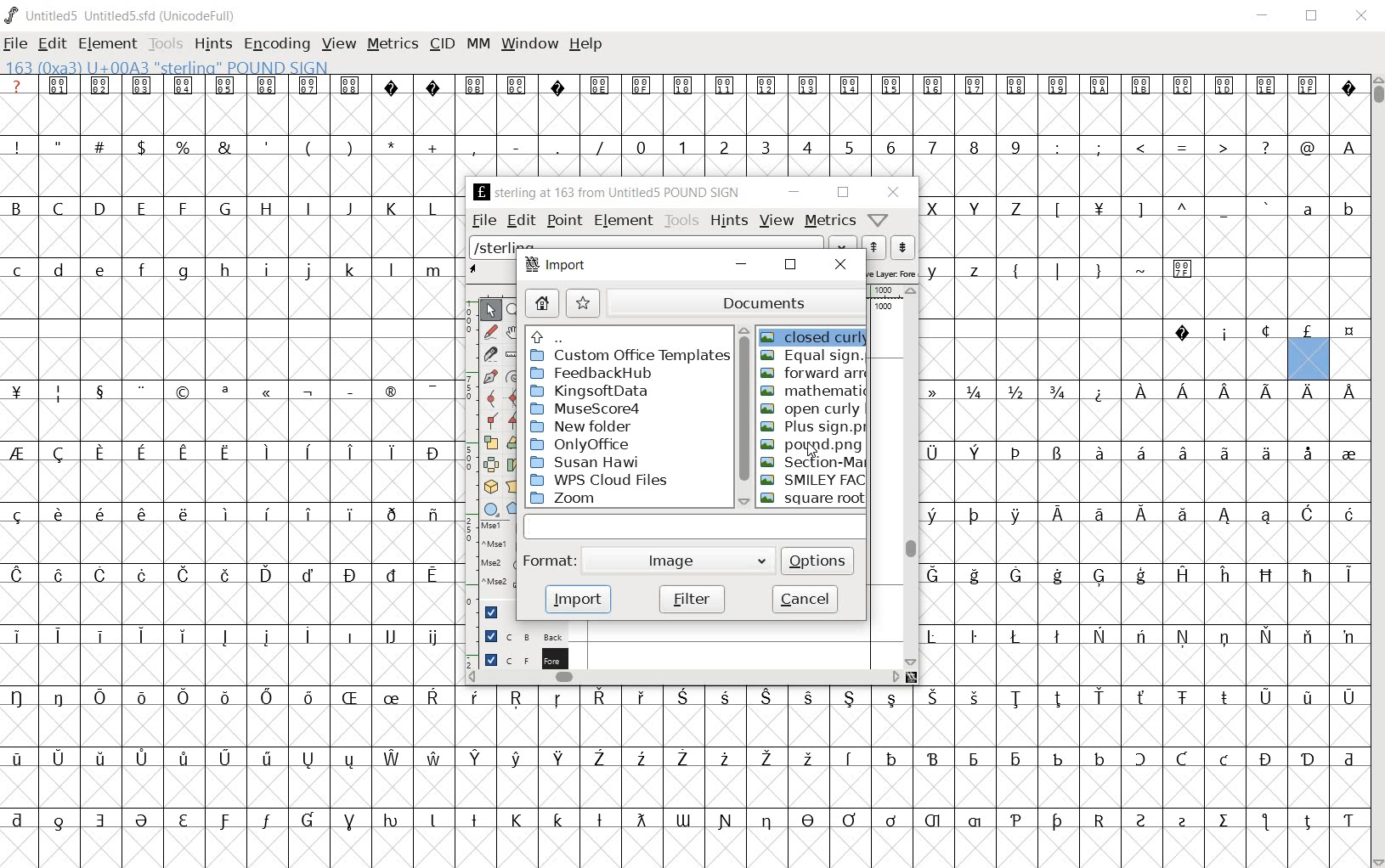 The image size is (1385, 868). Describe the element at coordinates (1308, 576) in the screenshot. I see `Symbol` at that location.